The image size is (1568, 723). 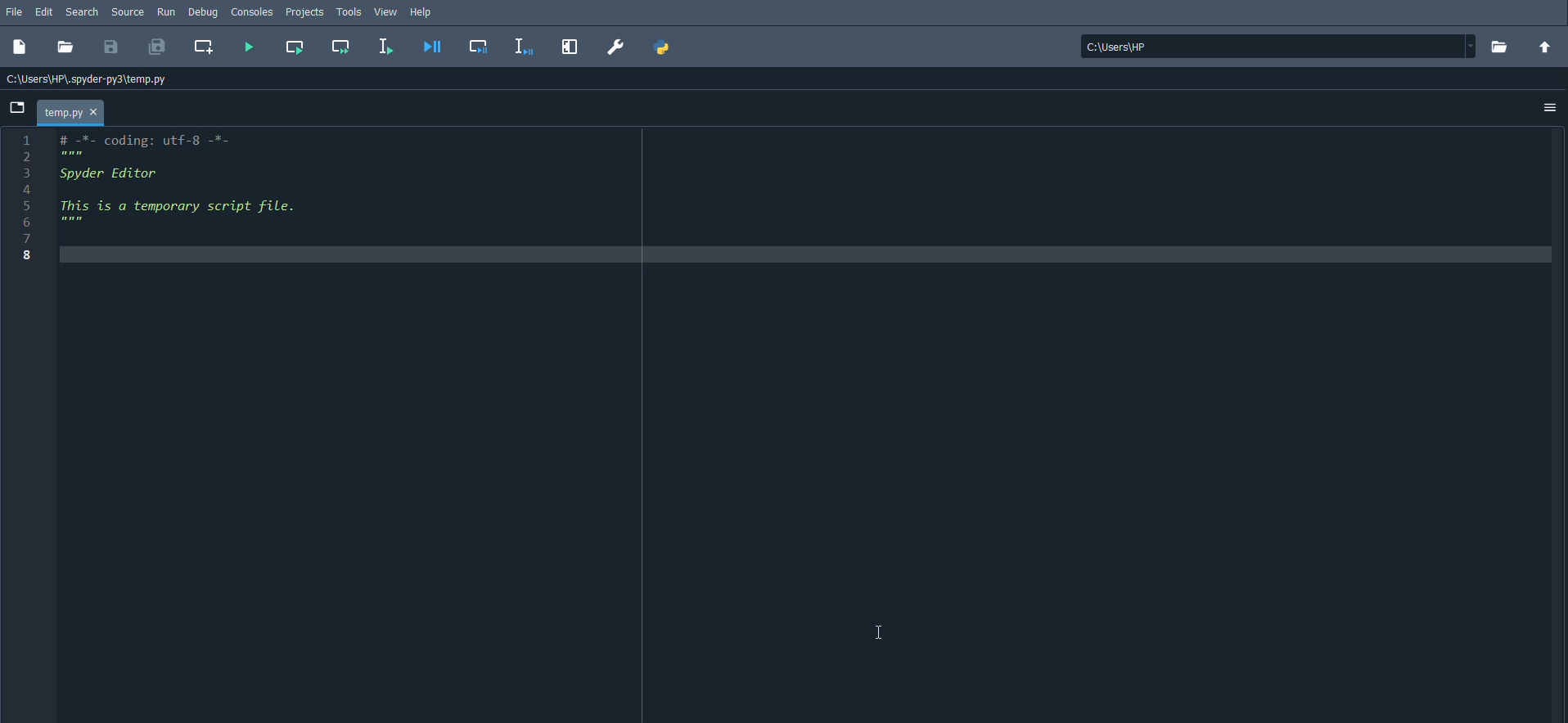 What do you see at coordinates (349, 13) in the screenshot?
I see `Tools` at bounding box center [349, 13].